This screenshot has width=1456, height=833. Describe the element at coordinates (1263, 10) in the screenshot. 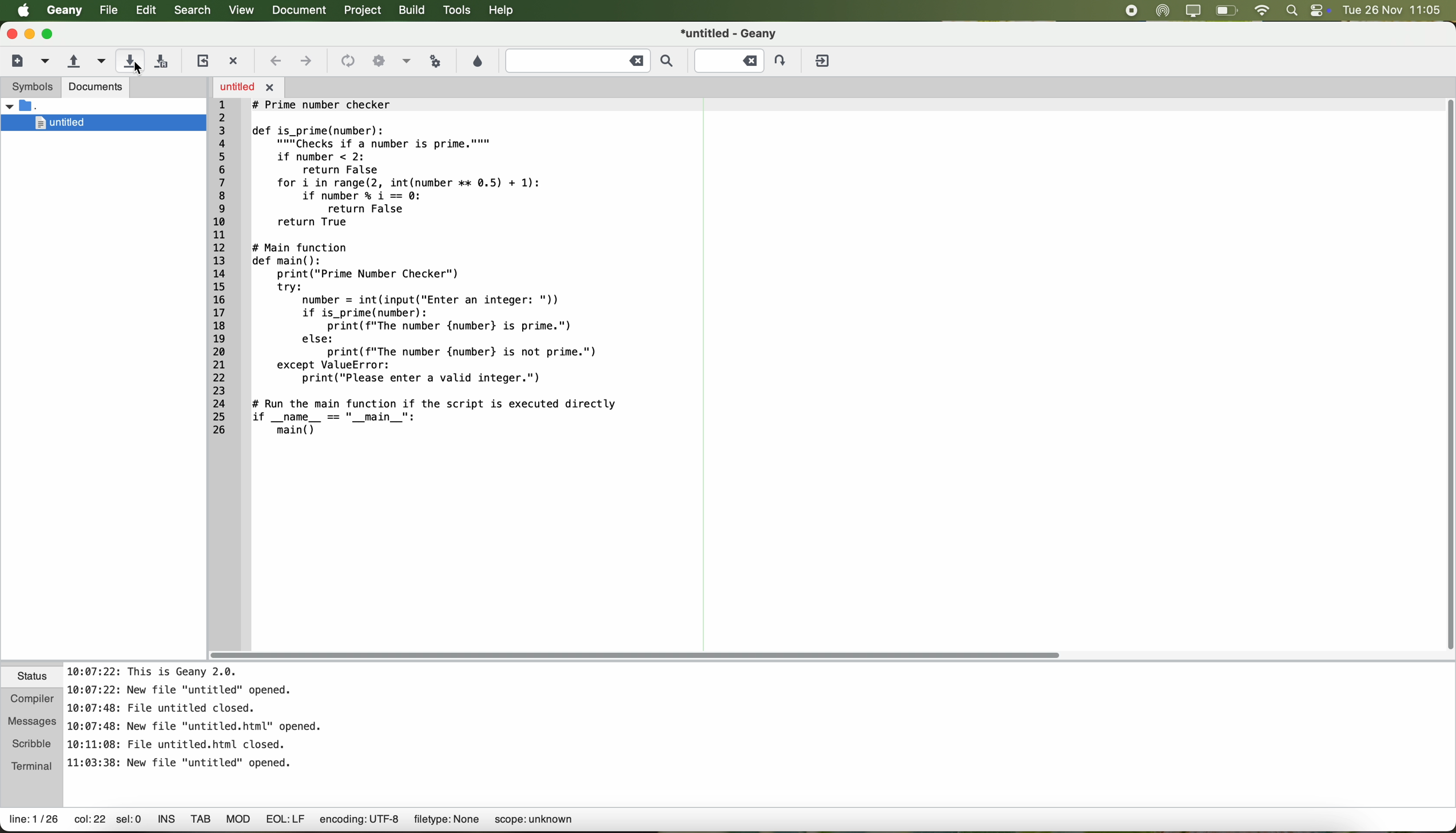

I see `wifi` at that location.